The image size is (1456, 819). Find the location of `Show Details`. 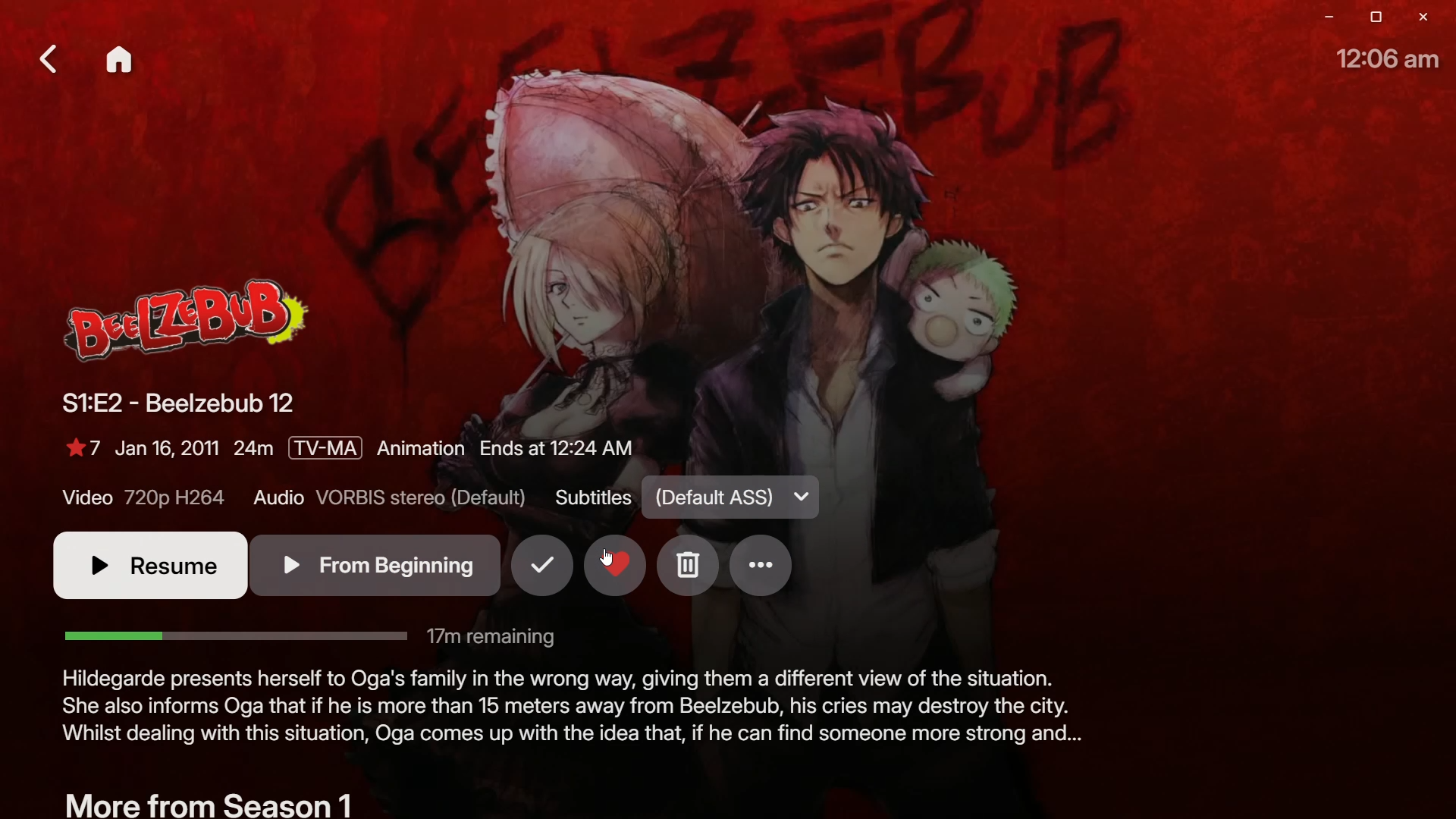

Show Details is located at coordinates (351, 454).